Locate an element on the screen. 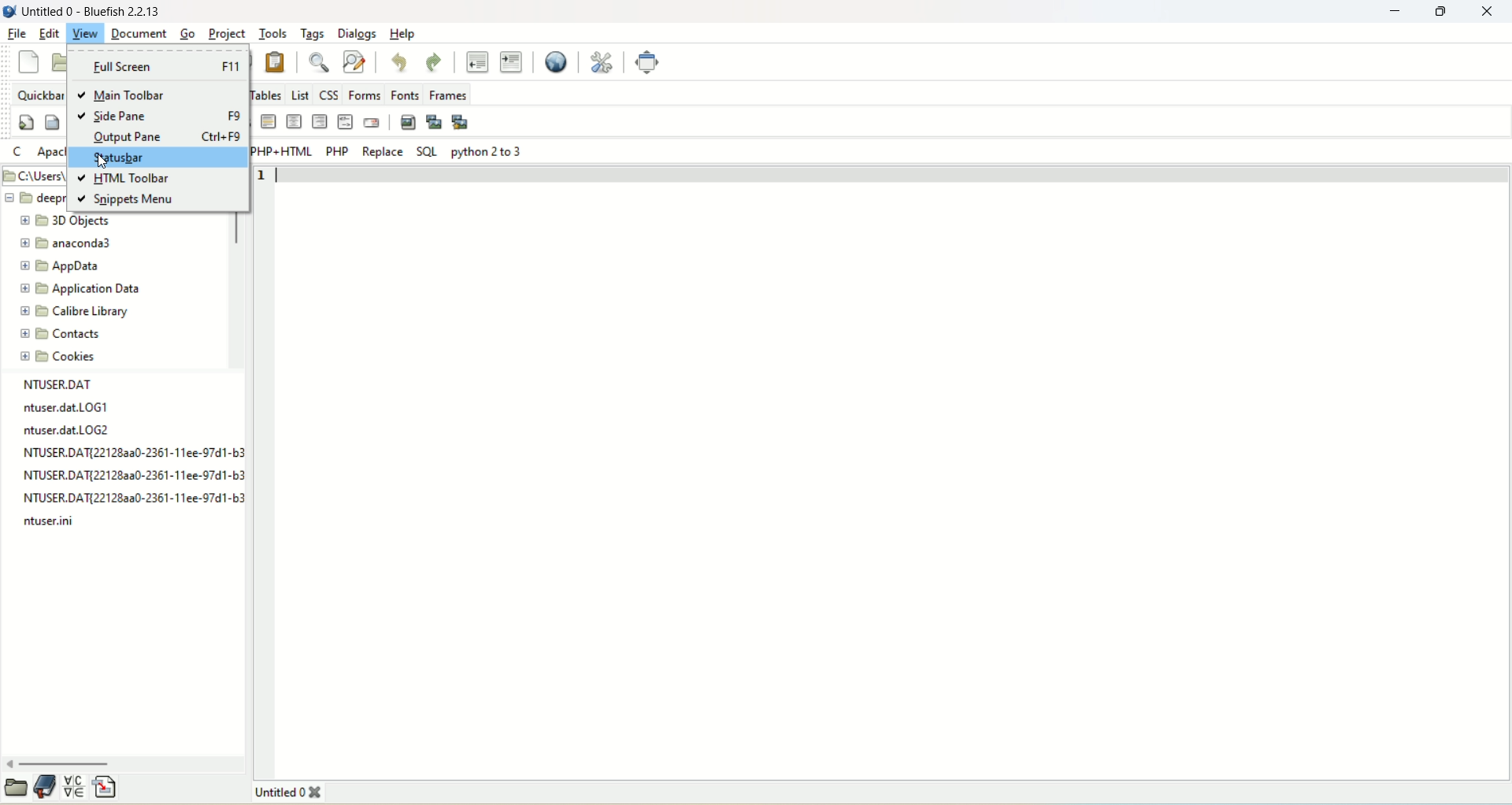  fullscreen is located at coordinates (160, 68).